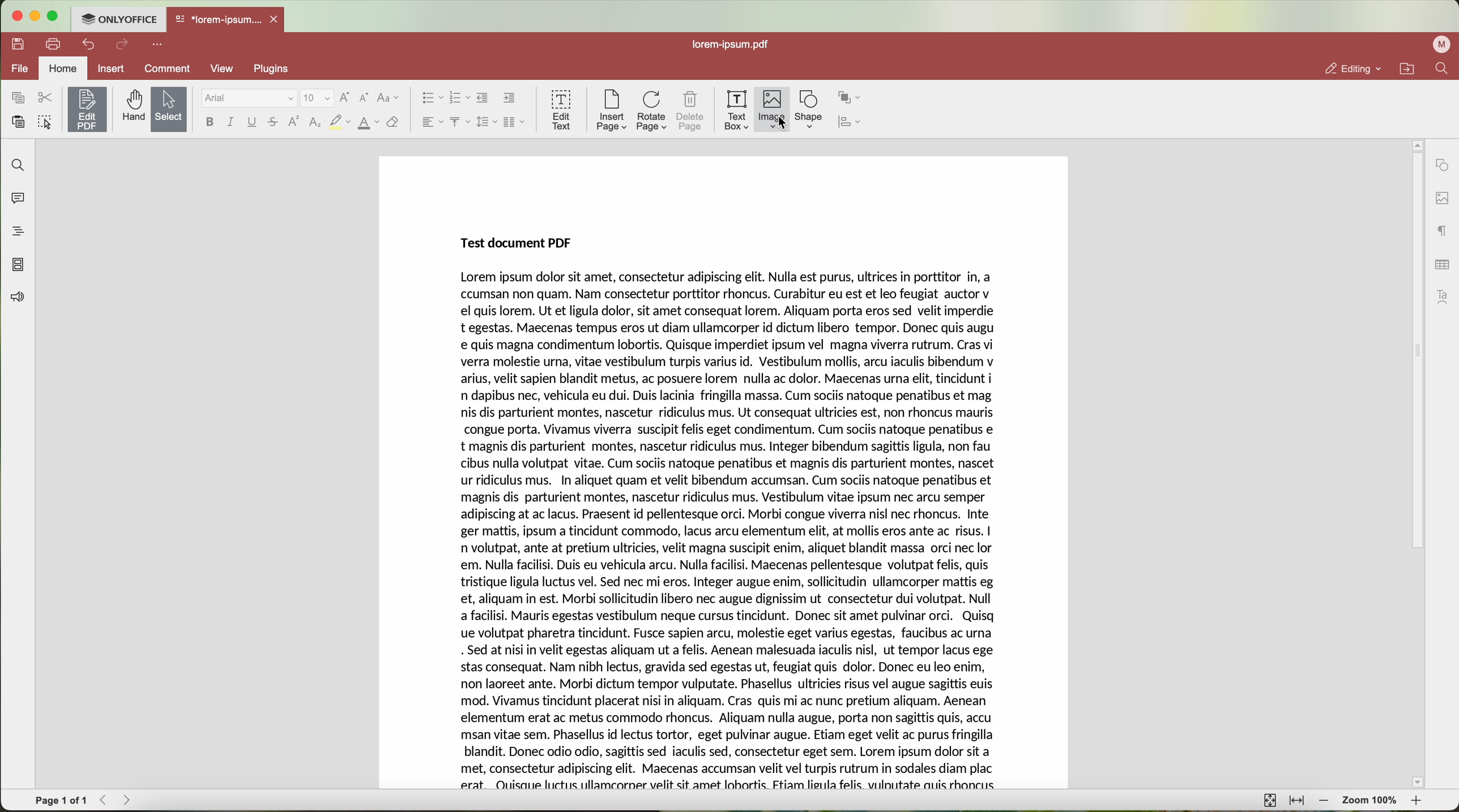 Image resolution: width=1459 pixels, height=812 pixels. I want to click on profile, so click(1444, 44).